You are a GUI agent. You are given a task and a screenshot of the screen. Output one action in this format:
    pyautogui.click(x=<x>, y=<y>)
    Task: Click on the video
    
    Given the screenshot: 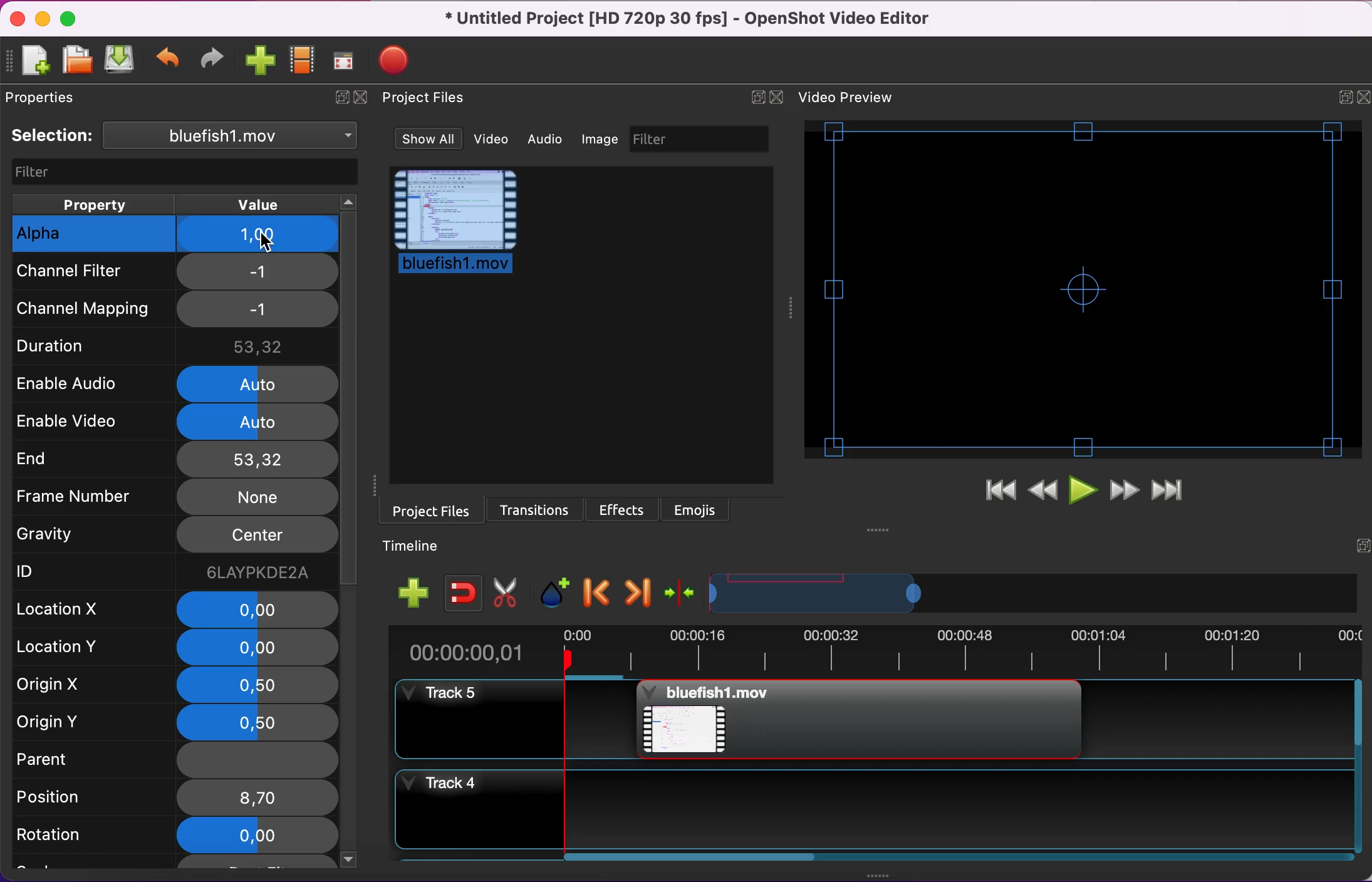 What is the action you would take?
    pyautogui.click(x=497, y=140)
    